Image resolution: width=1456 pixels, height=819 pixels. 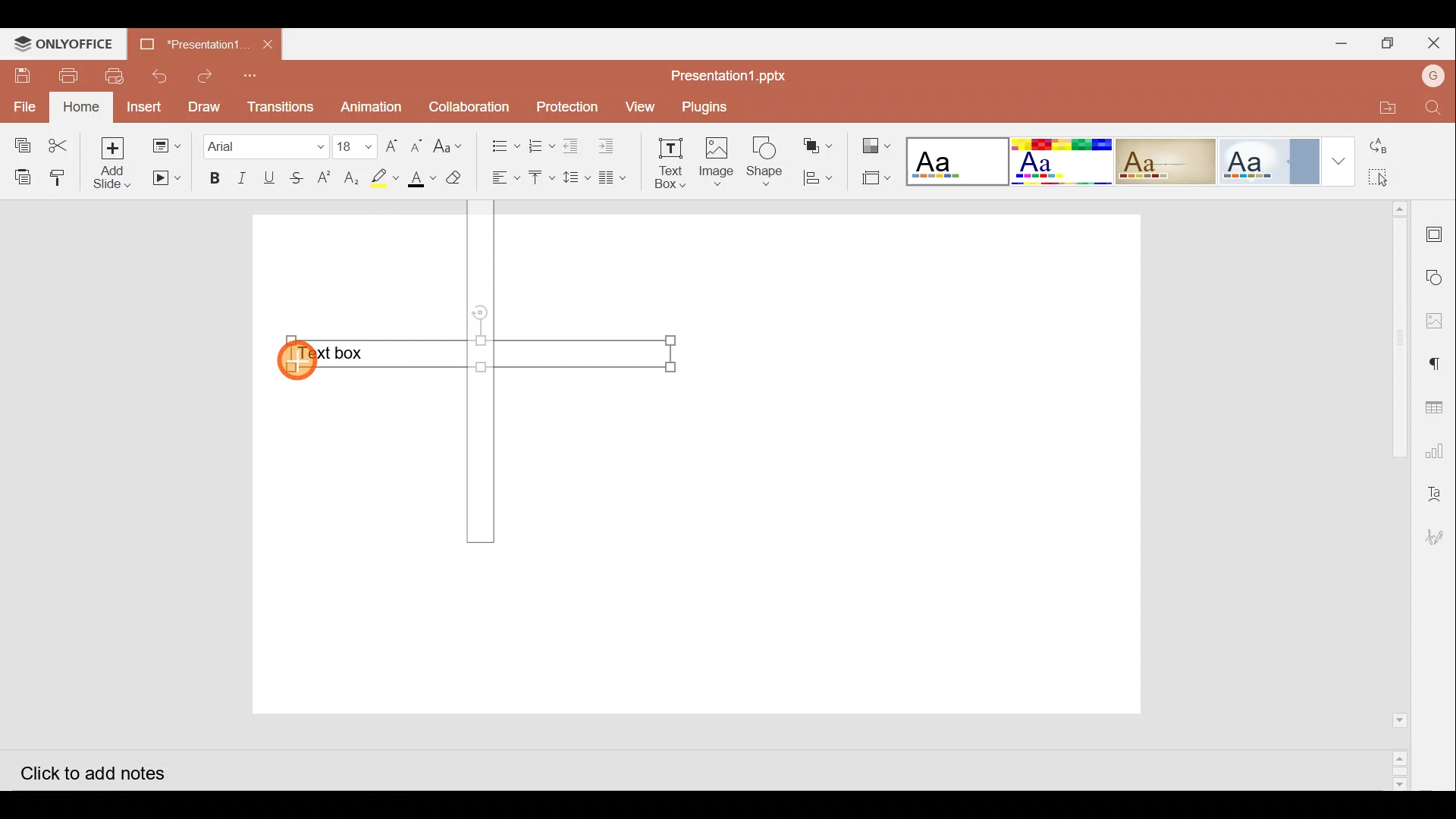 What do you see at coordinates (63, 142) in the screenshot?
I see `Cut` at bounding box center [63, 142].